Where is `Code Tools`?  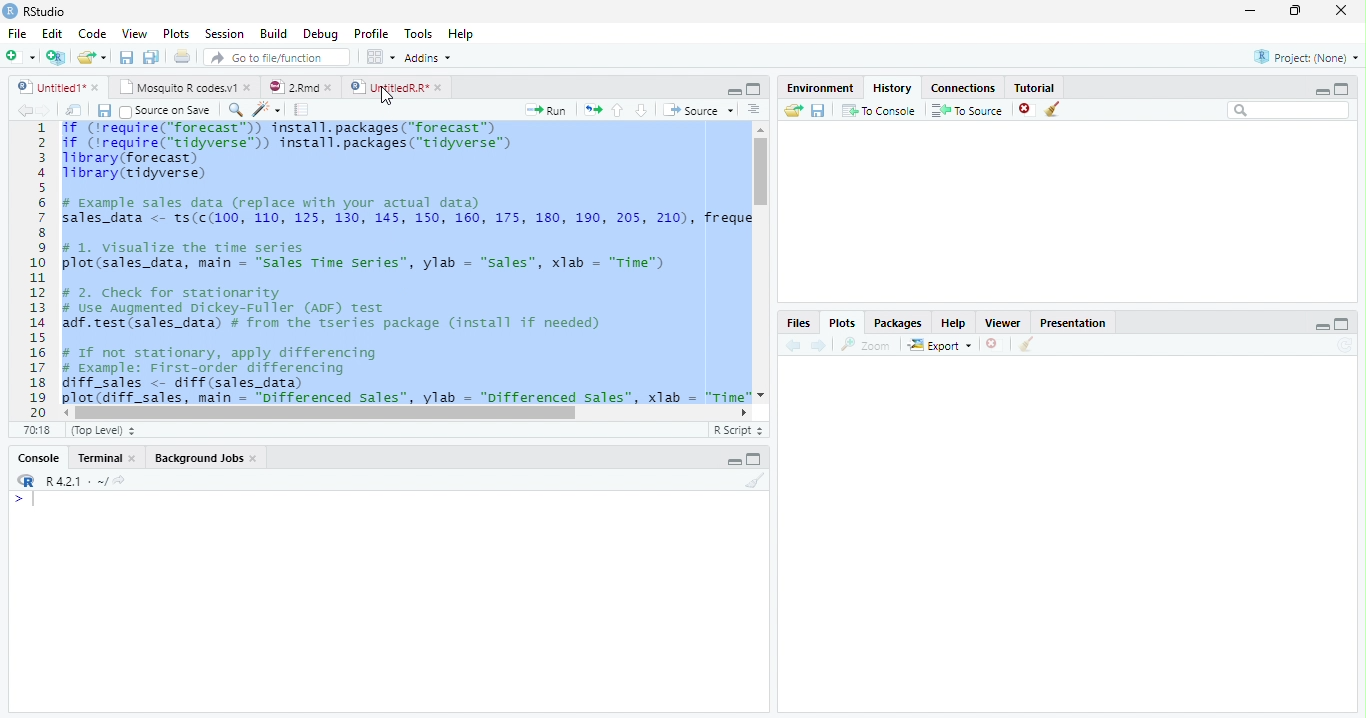 Code Tools is located at coordinates (263, 109).